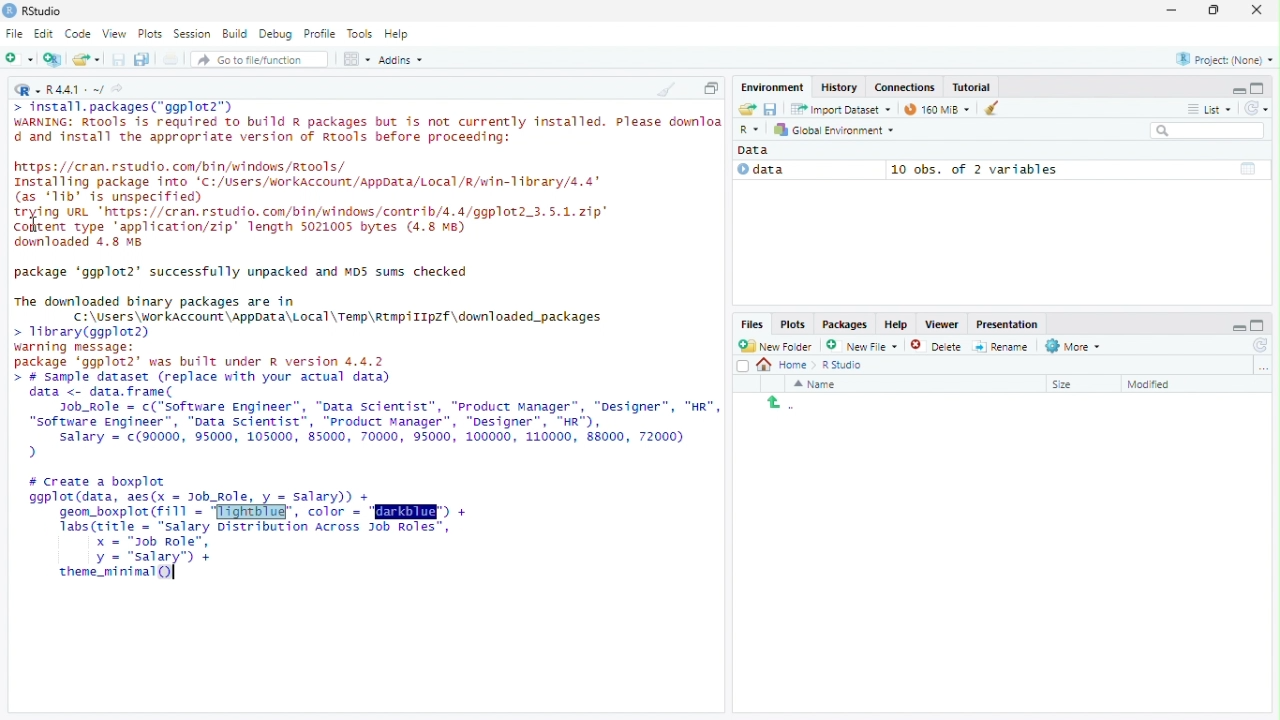 This screenshot has height=720, width=1280. What do you see at coordinates (665, 89) in the screenshot?
I see `Clear console` at bounding box center [665, 89].